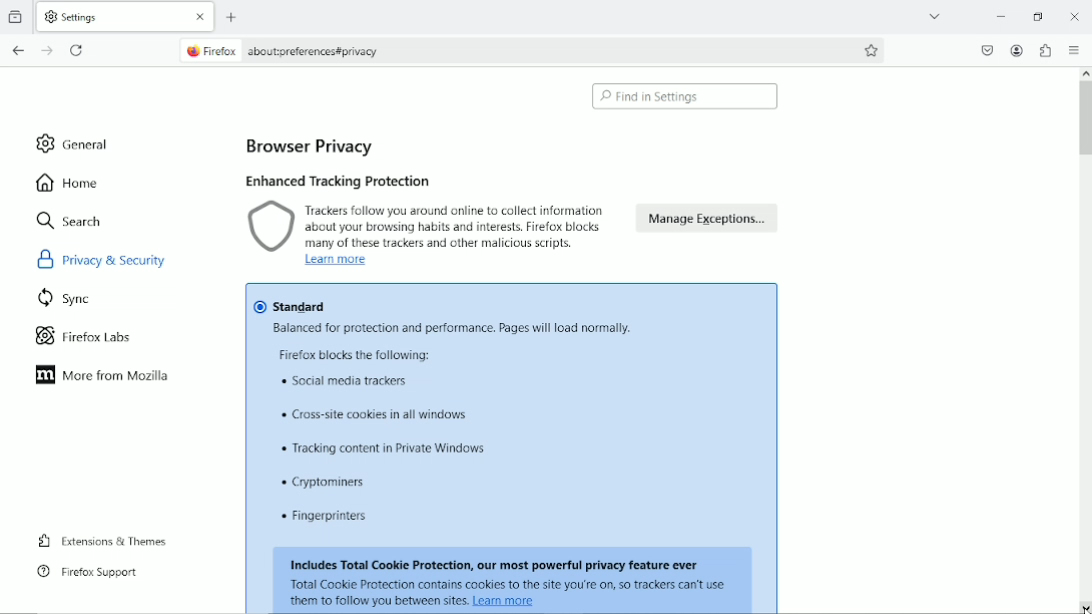  I want to click on enhanced tracking protection, so click(346, 180).